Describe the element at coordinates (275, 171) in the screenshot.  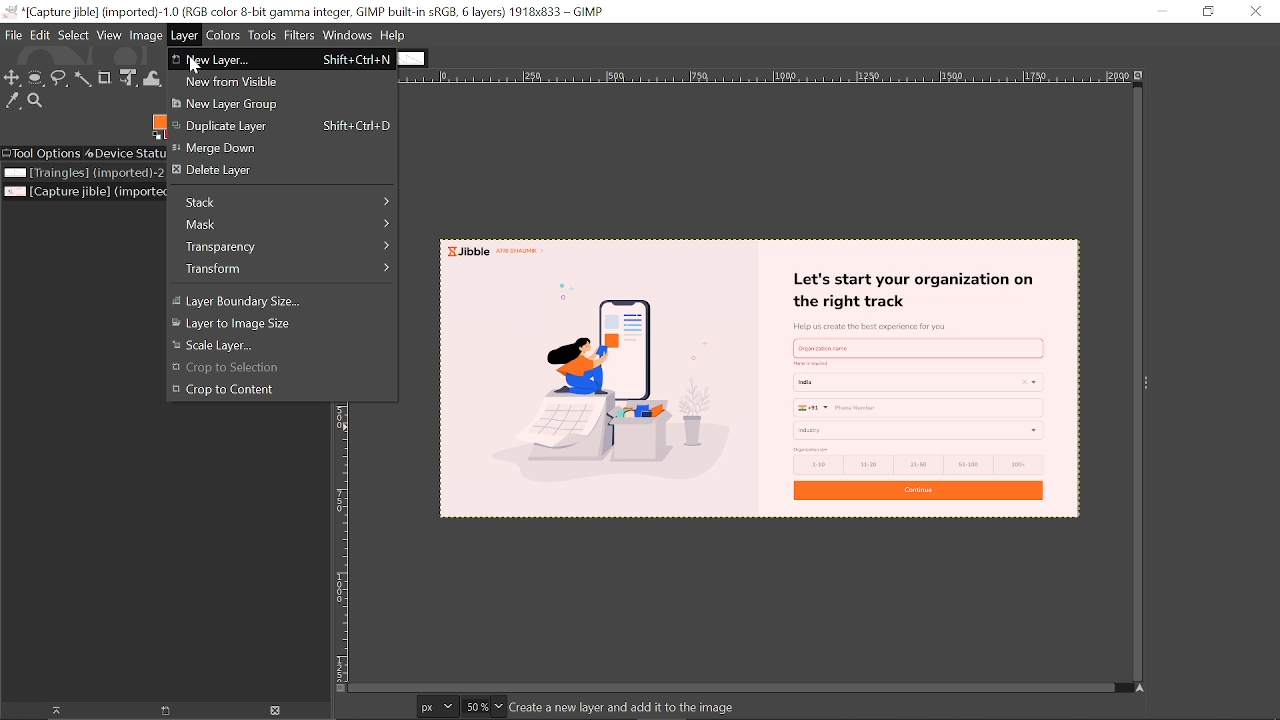
I see `Delete Layer` at that location.